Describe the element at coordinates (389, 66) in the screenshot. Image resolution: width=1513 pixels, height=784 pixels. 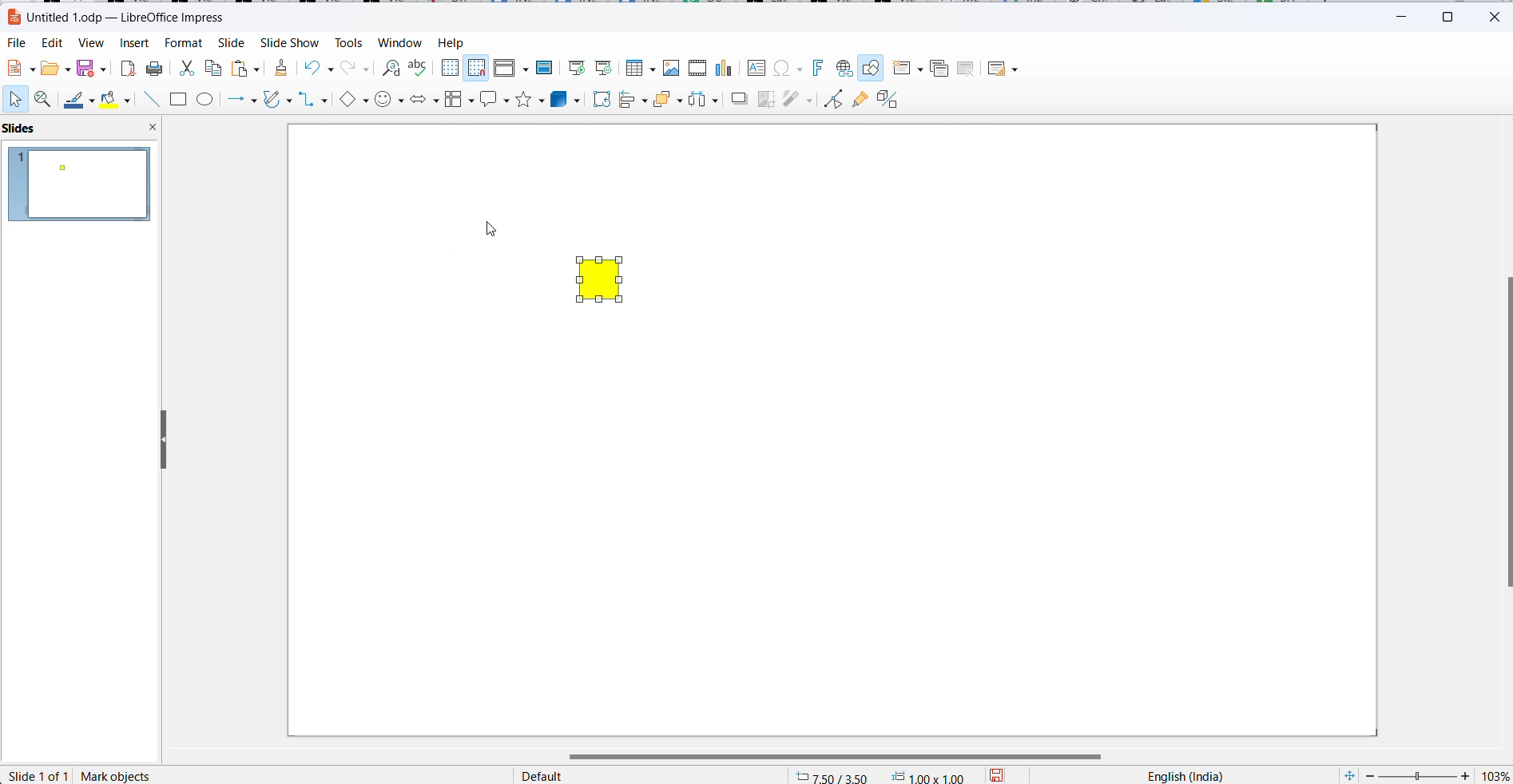
I see `find and replace` at that location.